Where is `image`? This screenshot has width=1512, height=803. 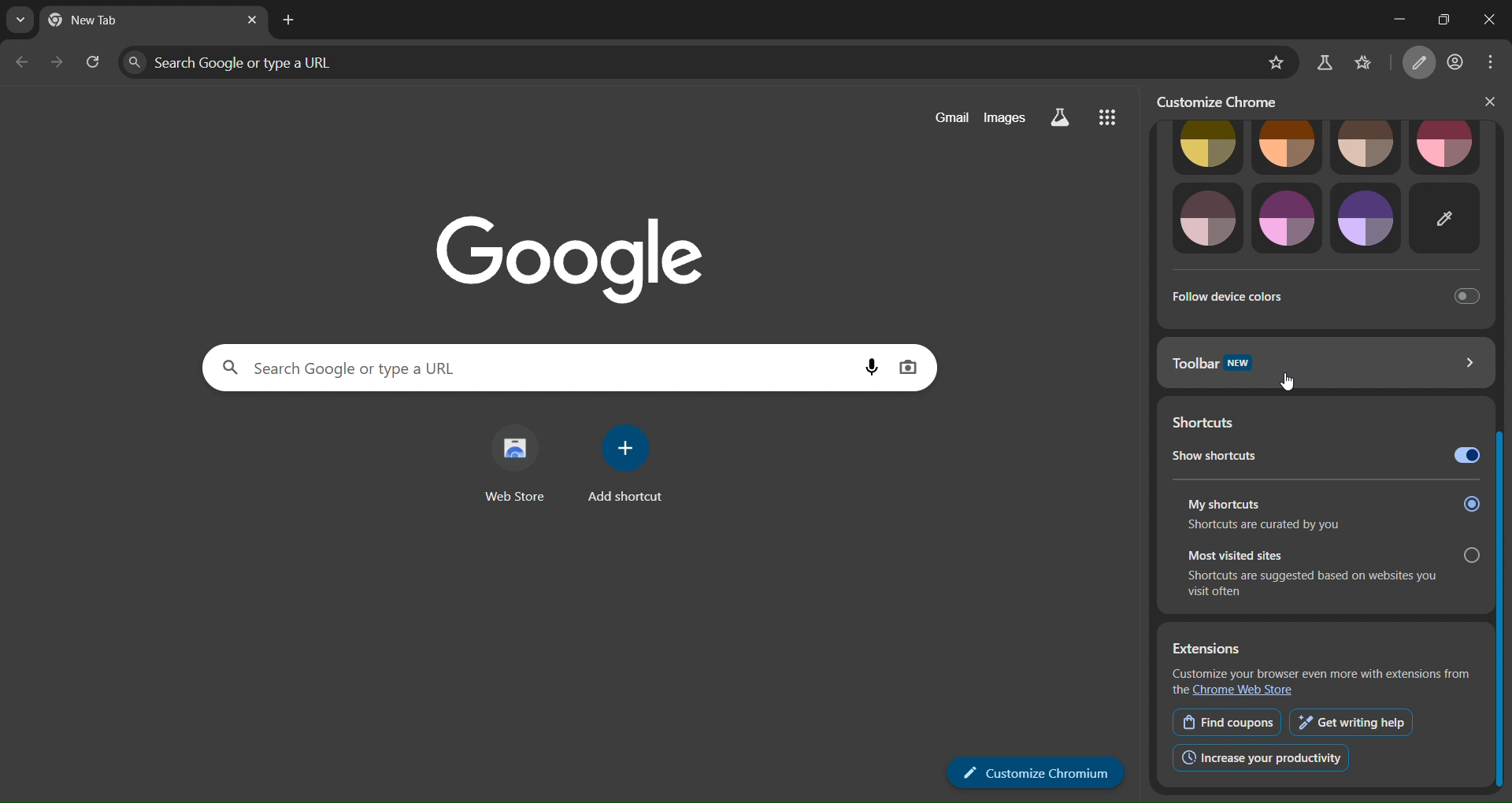 image is located at coordinates (1202, 148).